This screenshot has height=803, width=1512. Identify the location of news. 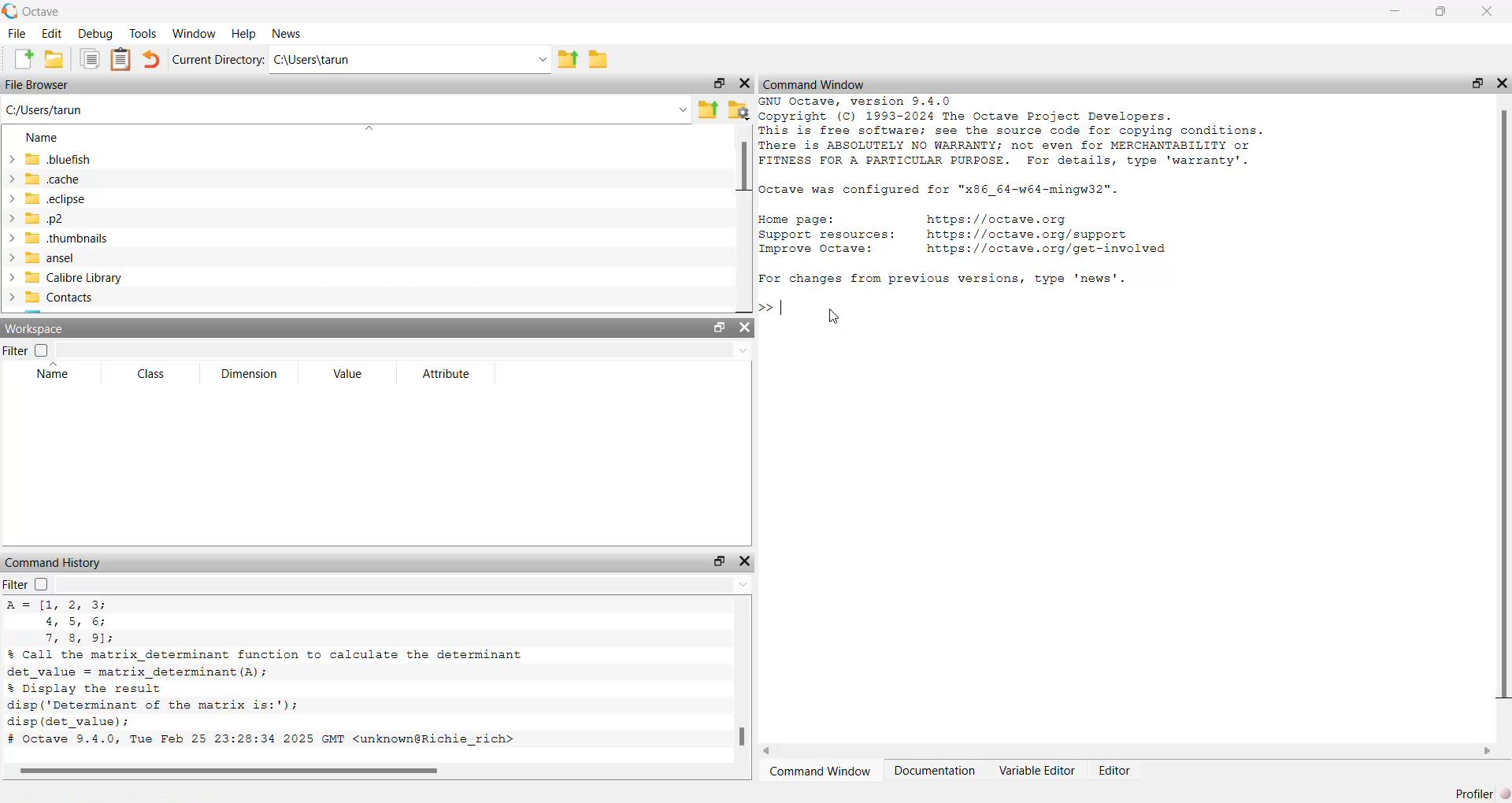
(289, 33).